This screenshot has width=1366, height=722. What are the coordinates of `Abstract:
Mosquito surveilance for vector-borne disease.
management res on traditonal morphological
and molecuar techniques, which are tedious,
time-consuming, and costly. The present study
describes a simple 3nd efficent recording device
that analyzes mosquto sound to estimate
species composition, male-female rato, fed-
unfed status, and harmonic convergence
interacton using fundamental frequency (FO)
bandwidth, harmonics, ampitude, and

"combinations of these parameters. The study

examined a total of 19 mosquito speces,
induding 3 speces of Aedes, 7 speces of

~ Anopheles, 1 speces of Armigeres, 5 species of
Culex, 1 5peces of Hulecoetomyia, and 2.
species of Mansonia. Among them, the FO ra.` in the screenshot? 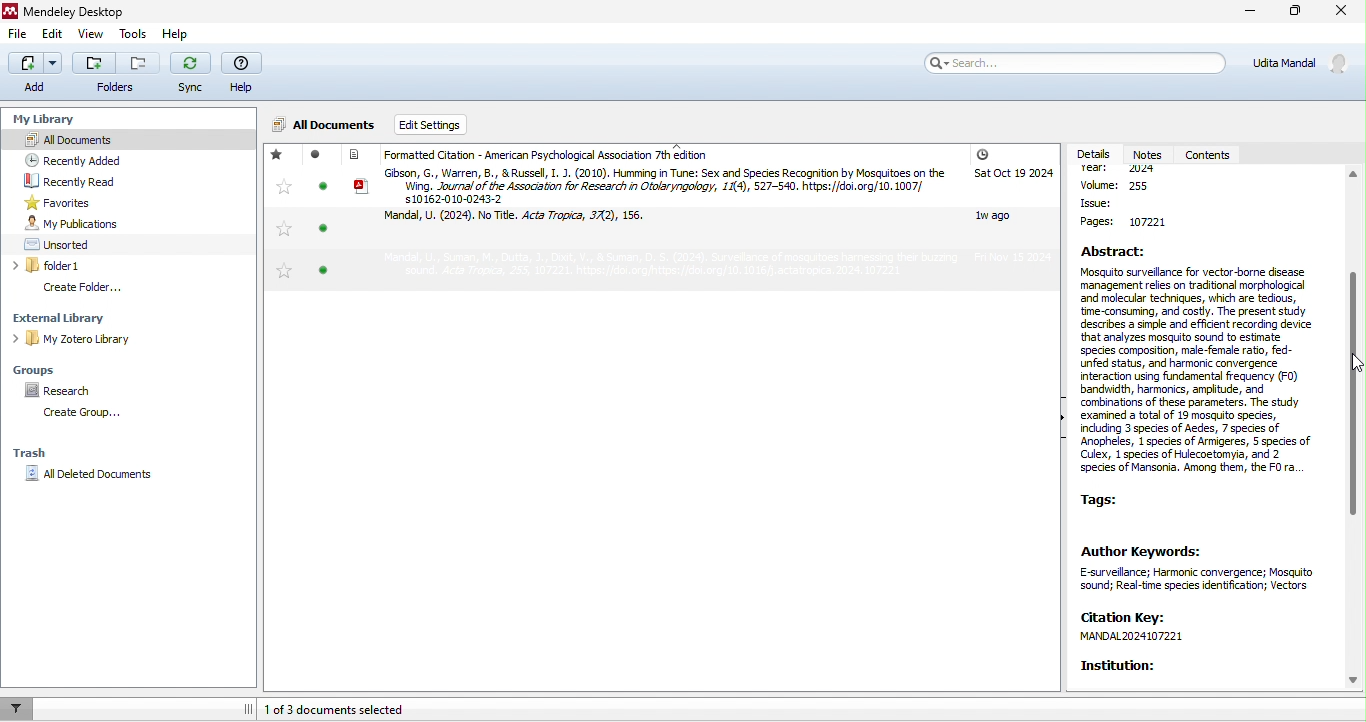 It's located at (1203, 361).